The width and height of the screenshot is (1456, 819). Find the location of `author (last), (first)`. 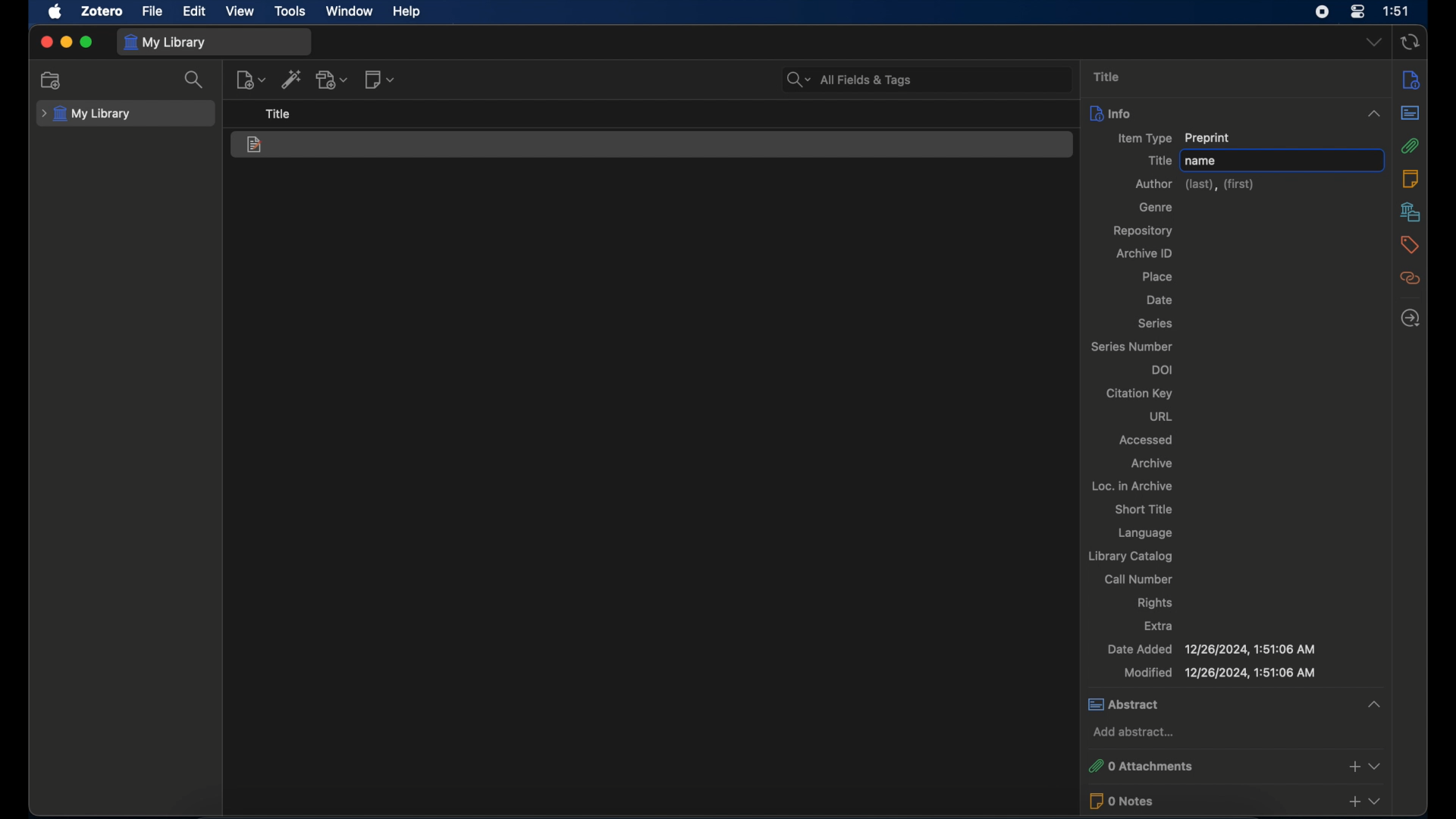

author (last), (first) is located at coordinates (1194, 184).